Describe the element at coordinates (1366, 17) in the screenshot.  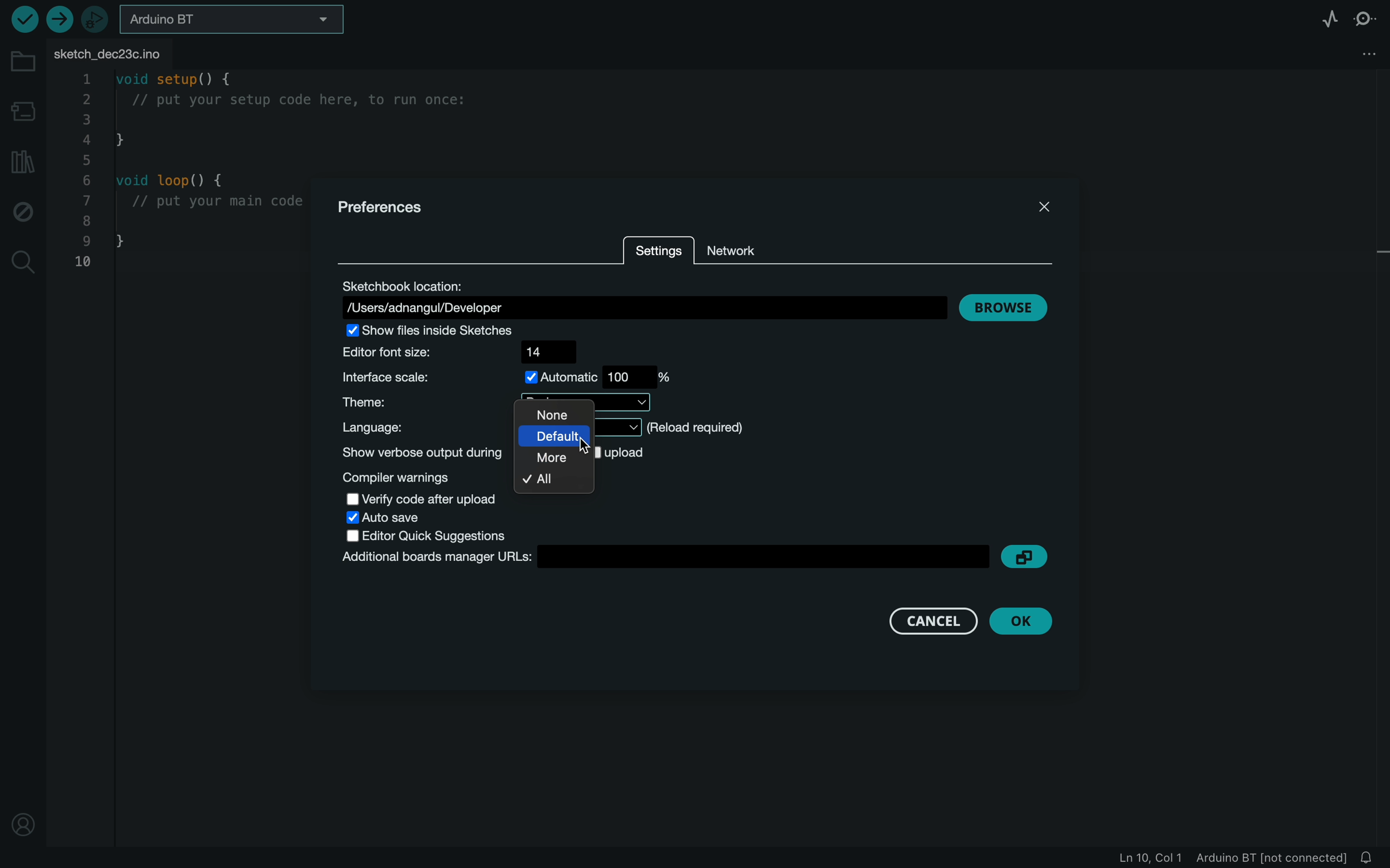
I see `serial monitor` at that location.